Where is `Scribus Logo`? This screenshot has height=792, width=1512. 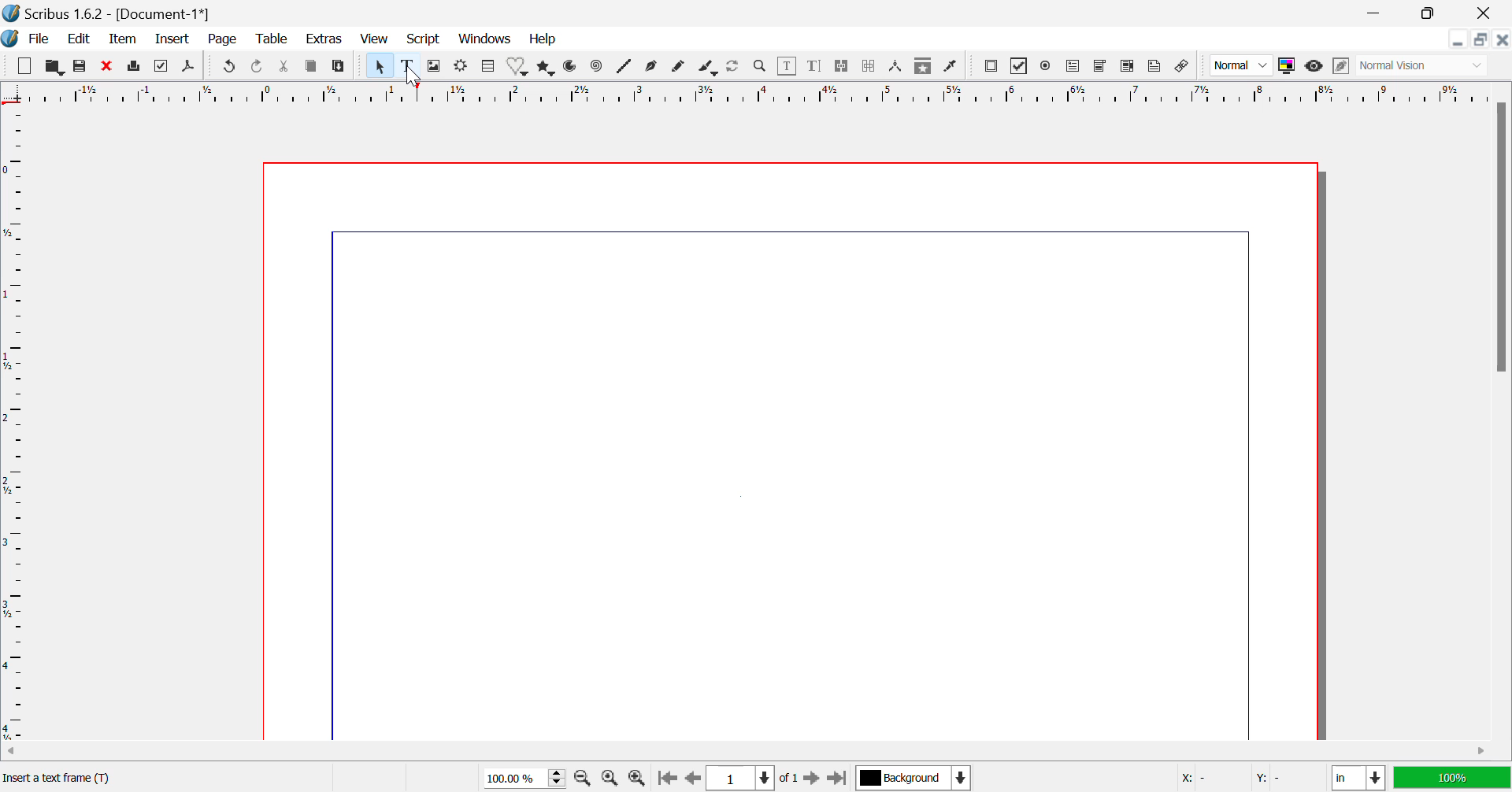 Scribus Logo is located at coordinates (11, 39).